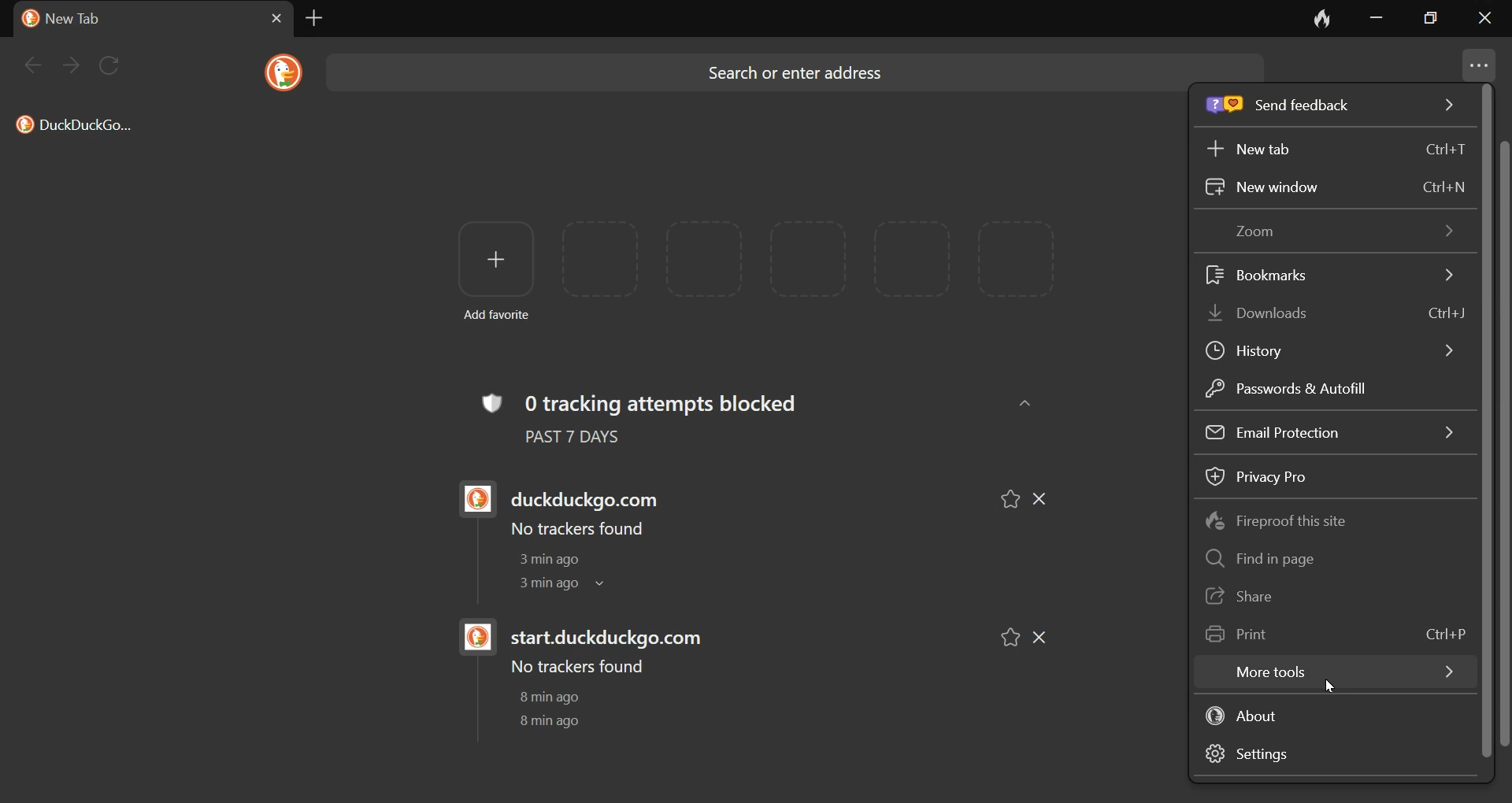 The width and height of the screenshot is (1512, 803). Describe the element at coordinates (1325, 430) in the screenshot. I see `Email Protection` at that location.